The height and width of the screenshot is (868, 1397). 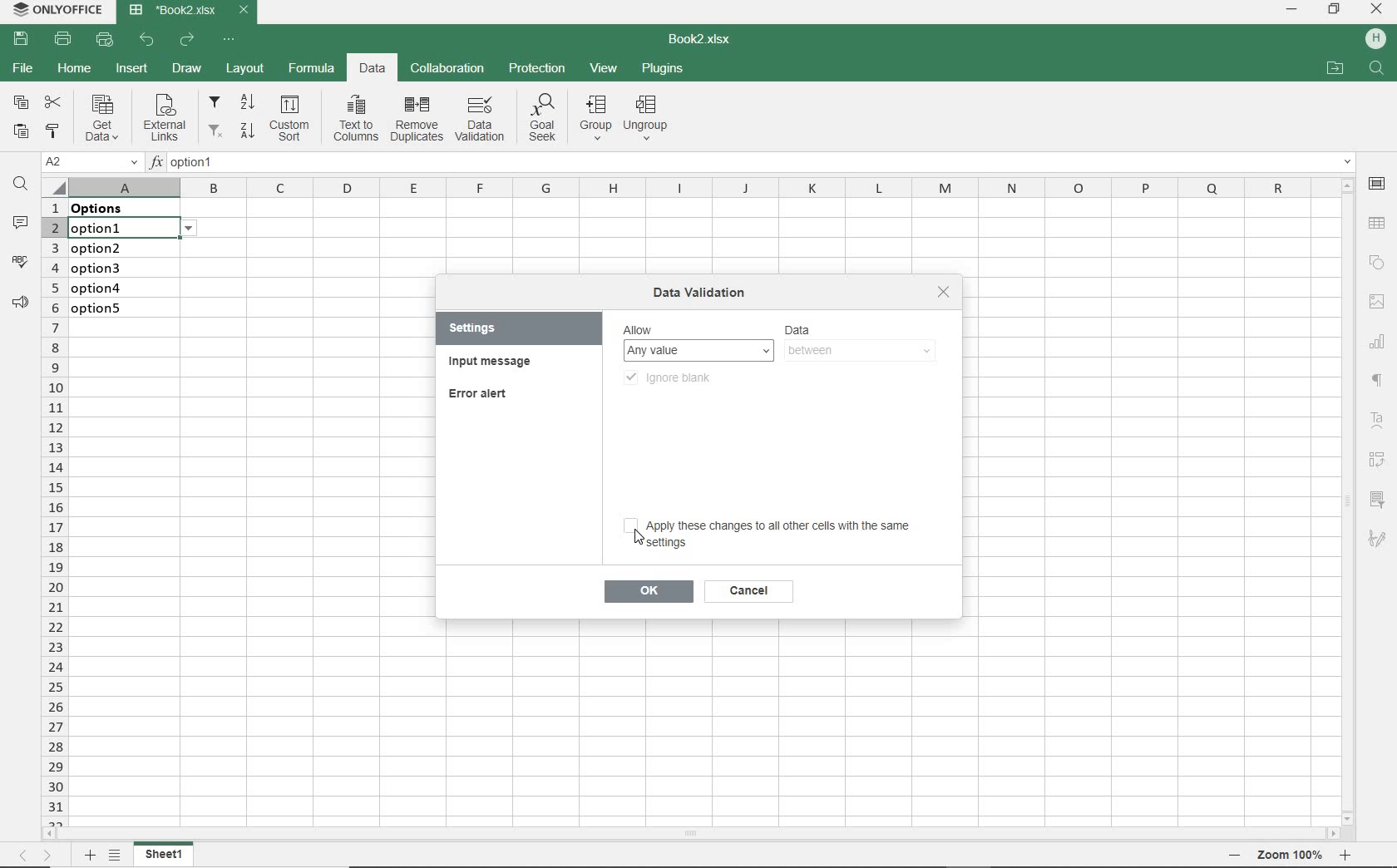 What do you see at coordinates (649, 118) in the screenshot?
I see `Ungroup` at bounding box center [649, 118].